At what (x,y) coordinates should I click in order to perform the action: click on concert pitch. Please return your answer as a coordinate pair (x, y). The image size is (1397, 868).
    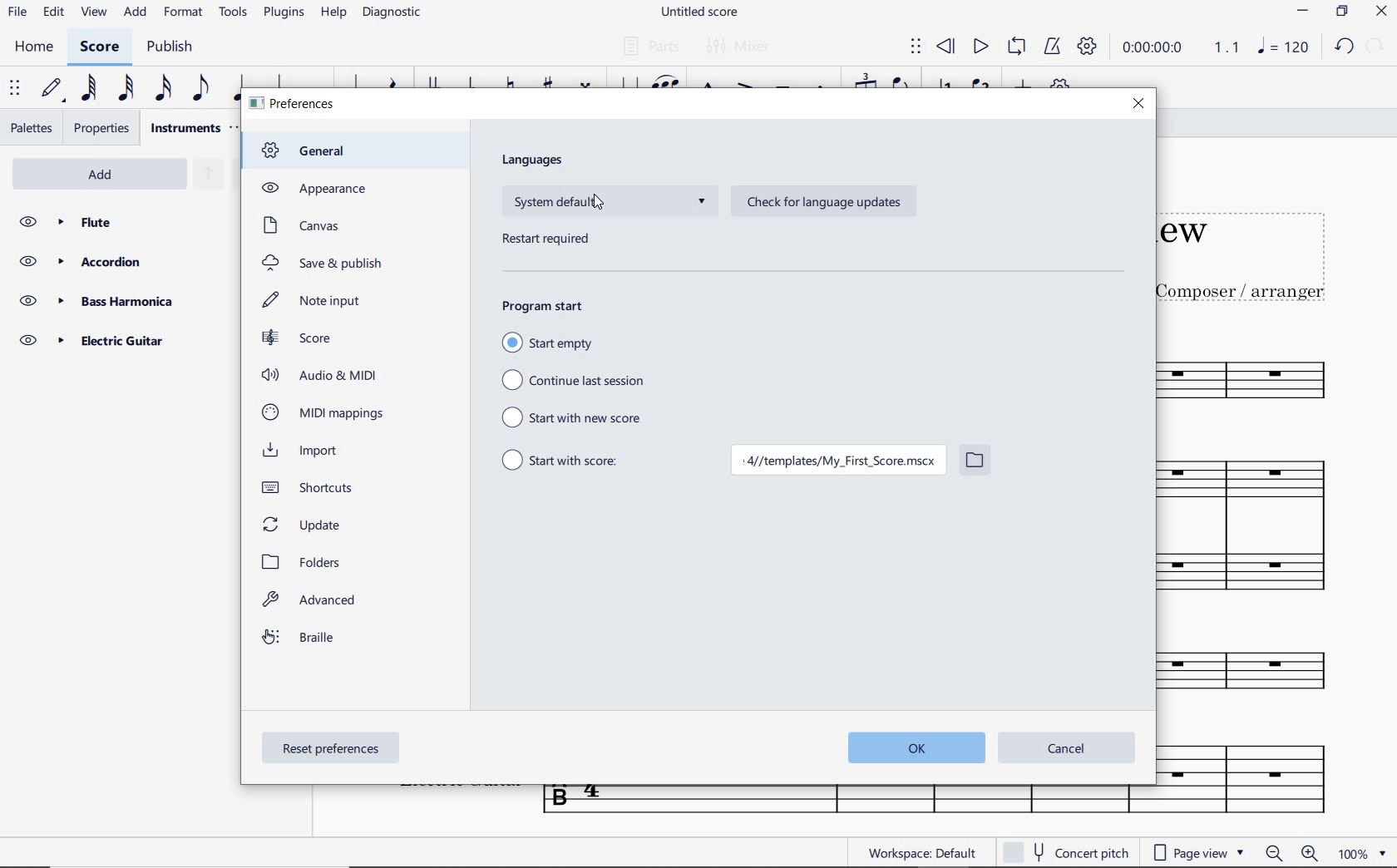
    Looking at the image, I should click on (1066, 852).